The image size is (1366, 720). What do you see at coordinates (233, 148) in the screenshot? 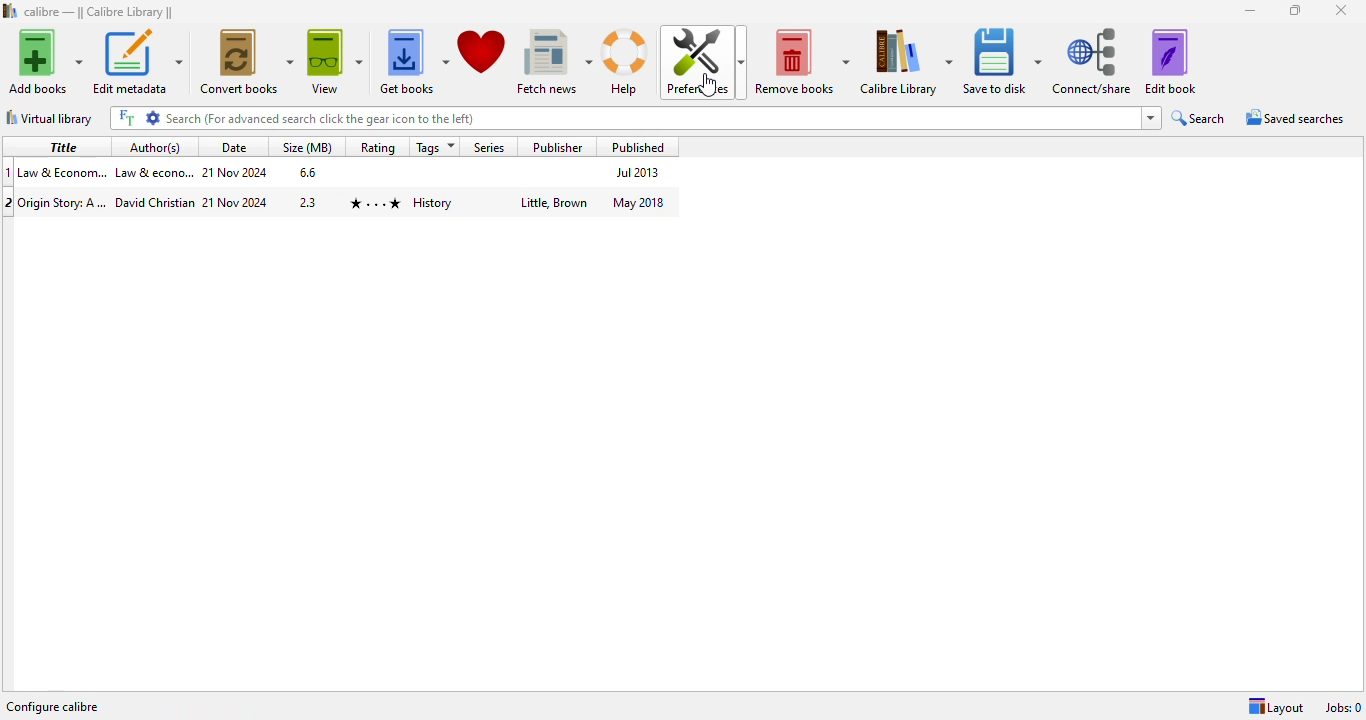
I see `date` at bounding box center [233, 148].